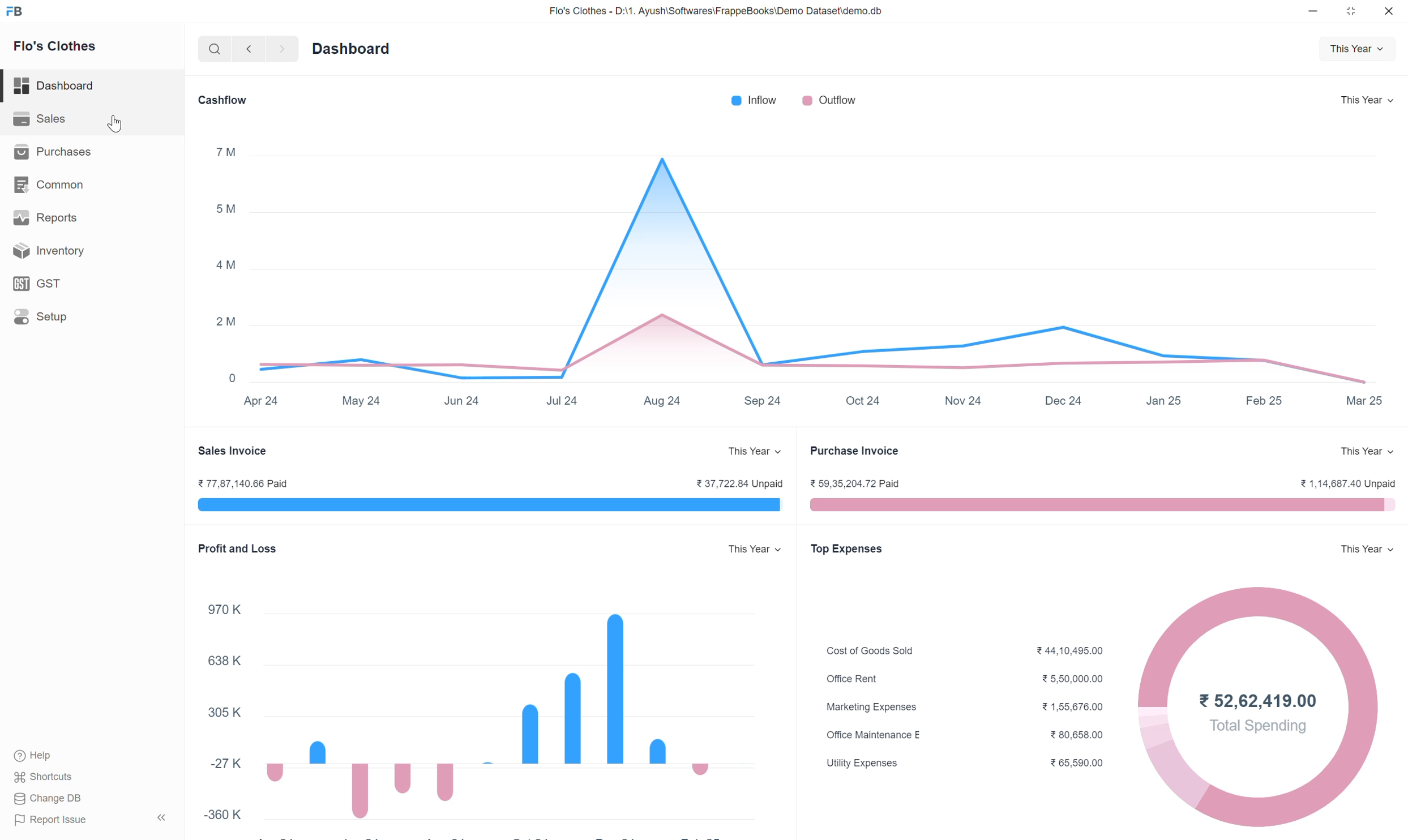  What do you see at coordinates (832, 100) in the screenshot?
I see `Outflow` at bounding box center [832, 100].